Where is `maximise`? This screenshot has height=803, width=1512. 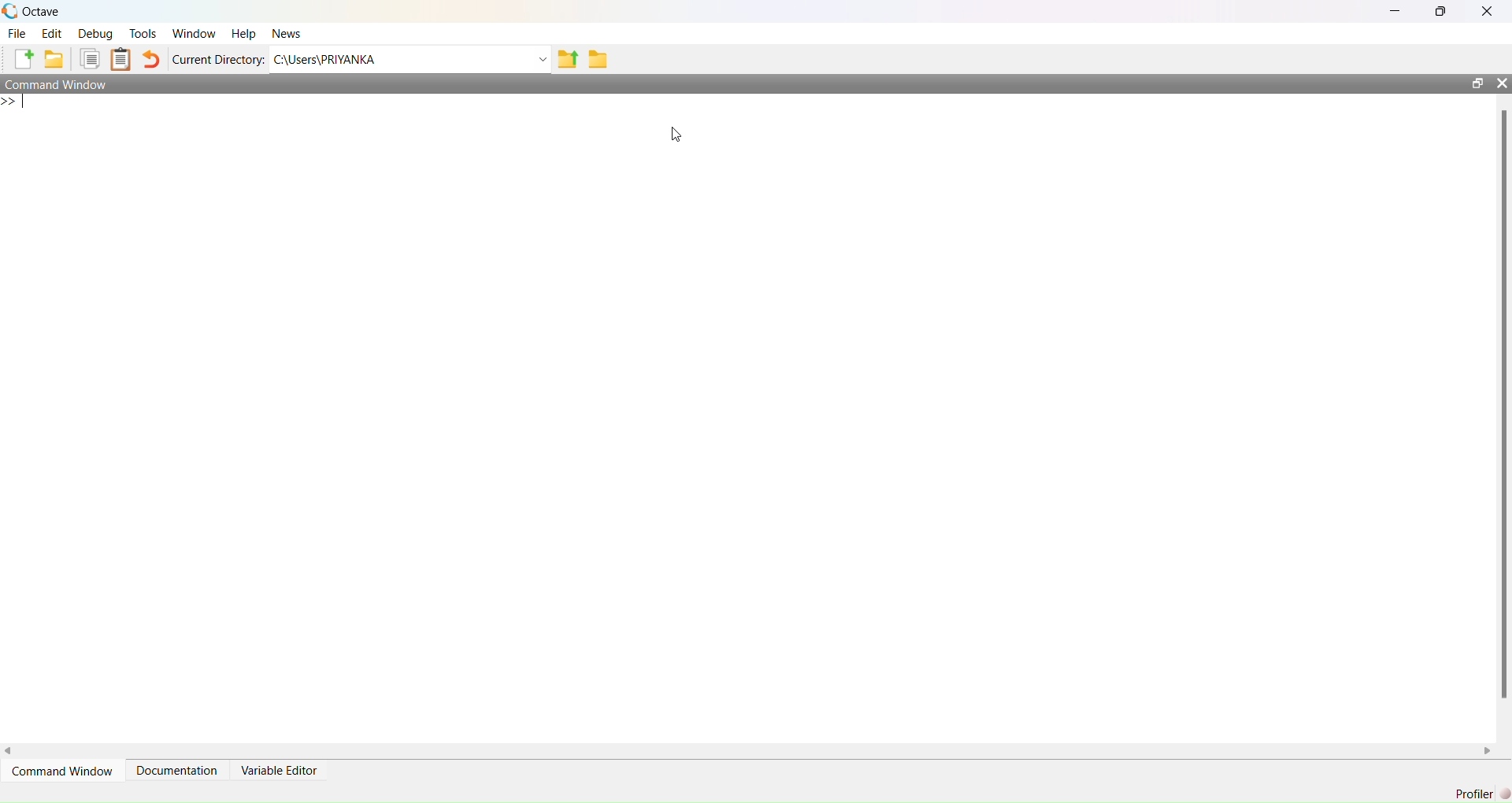 maximise is located at coordinates (1441, 12).